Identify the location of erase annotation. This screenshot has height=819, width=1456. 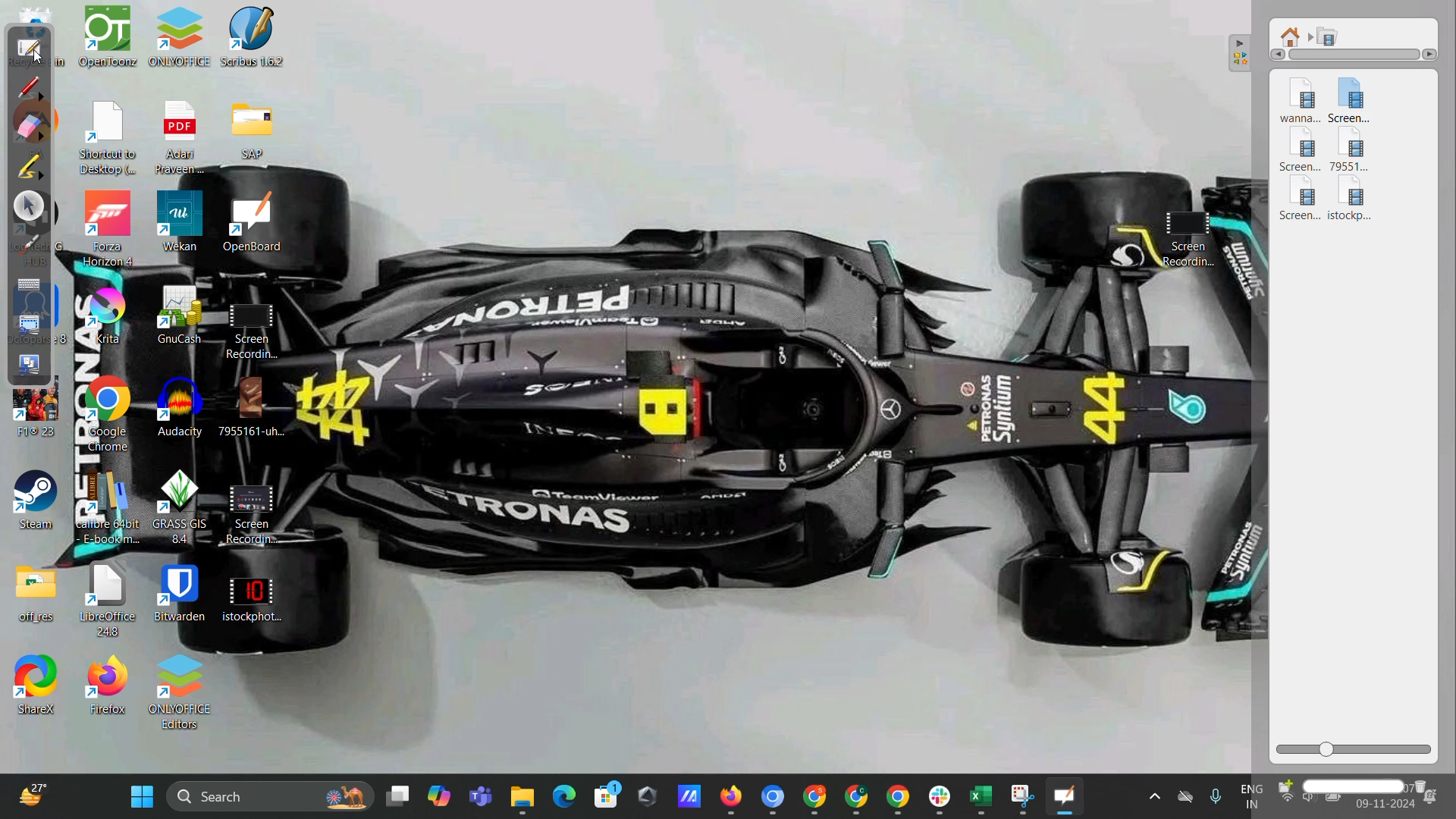
(36, 127).